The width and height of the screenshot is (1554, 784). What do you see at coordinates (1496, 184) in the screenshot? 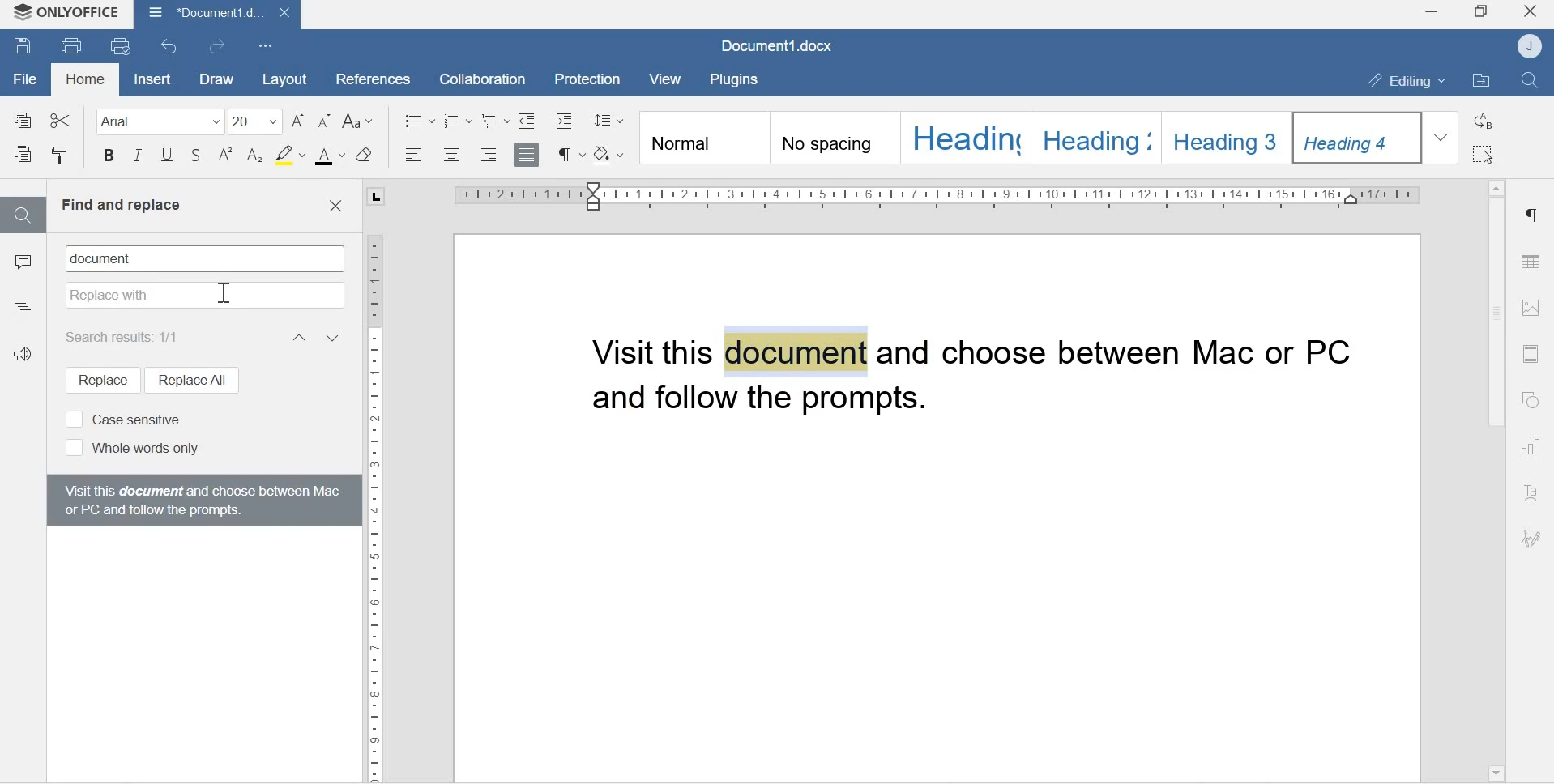
I see `Scroll up` at bounding box center [1496, 184].